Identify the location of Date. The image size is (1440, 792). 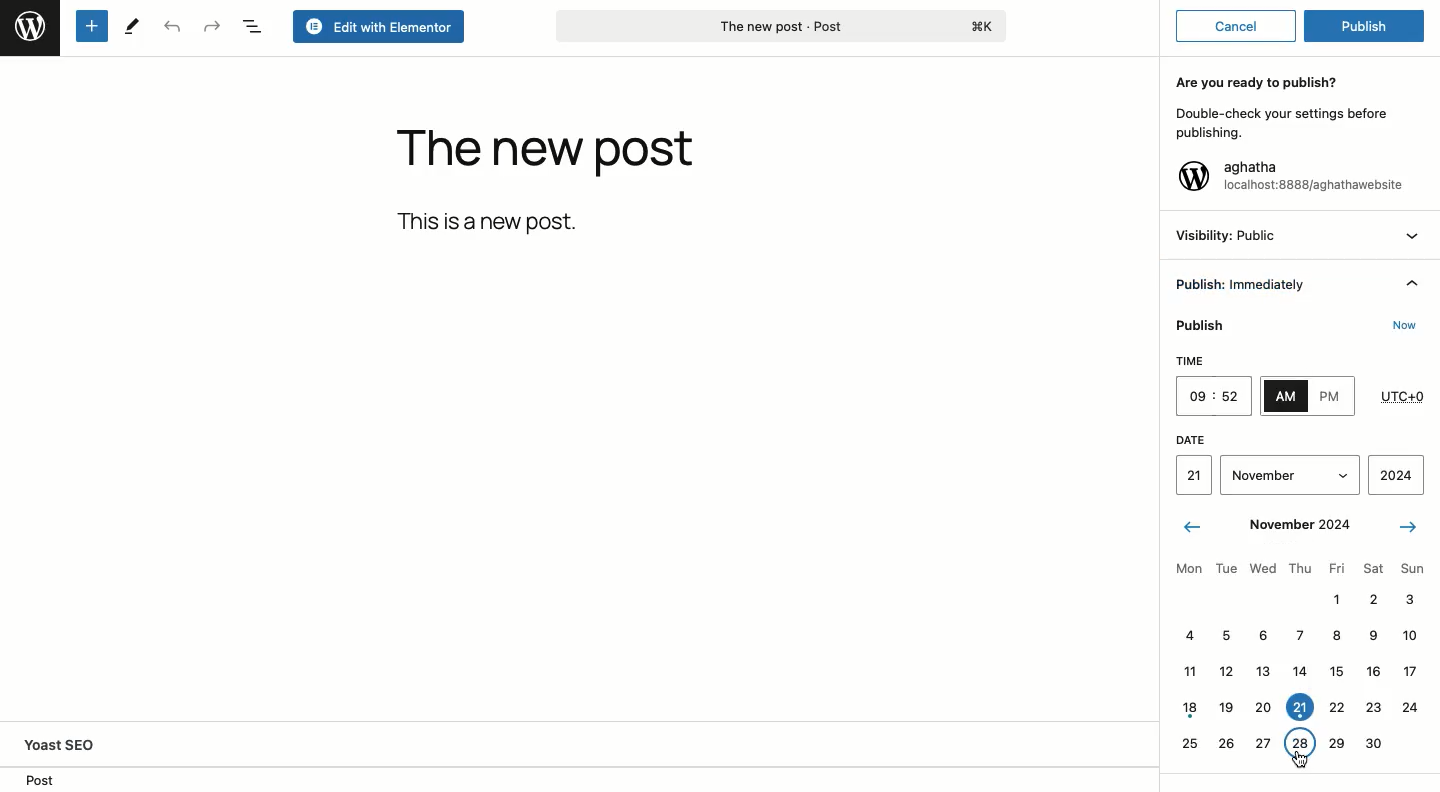
(1295, 440).